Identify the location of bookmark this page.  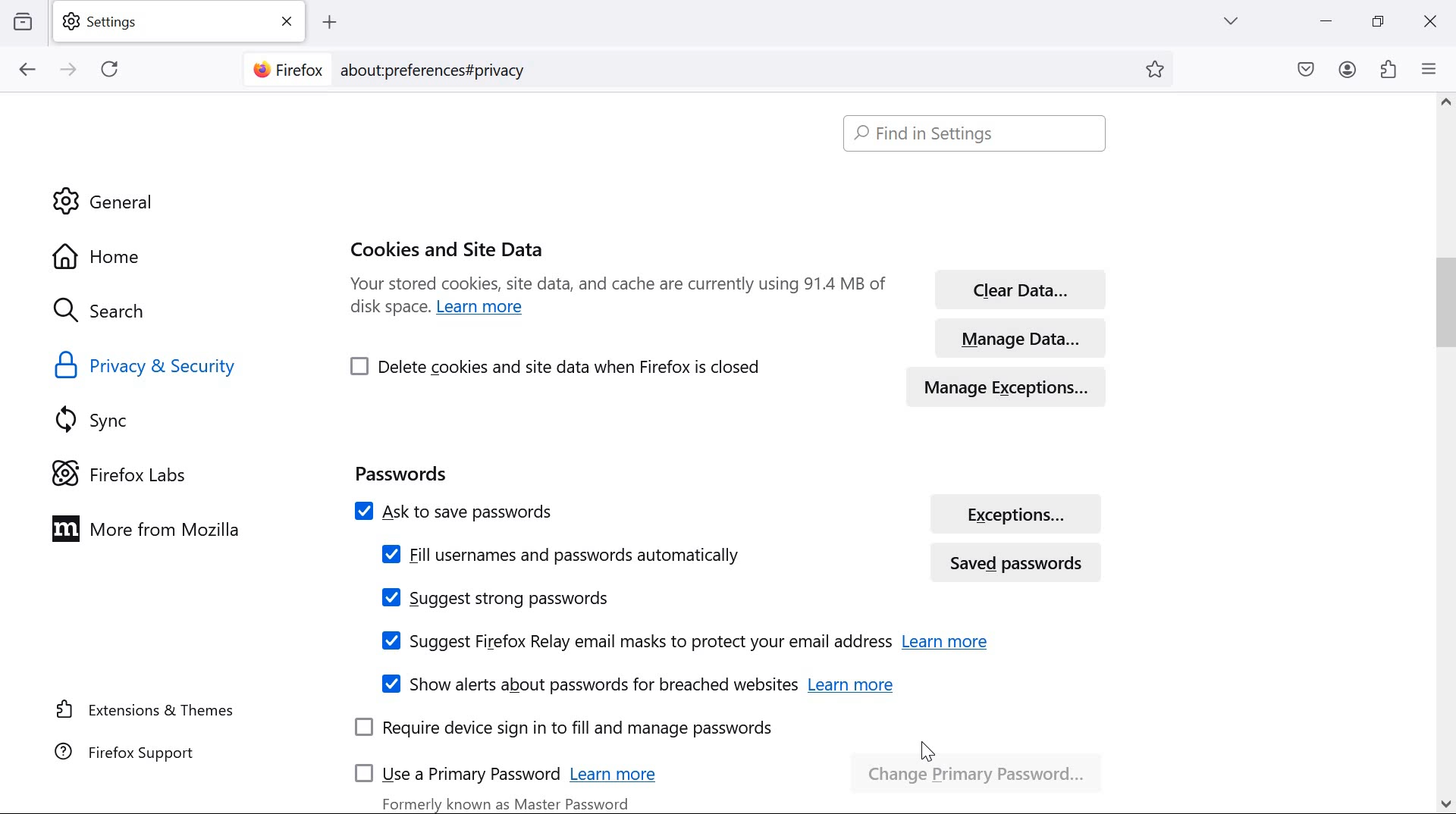
(1160, 70).